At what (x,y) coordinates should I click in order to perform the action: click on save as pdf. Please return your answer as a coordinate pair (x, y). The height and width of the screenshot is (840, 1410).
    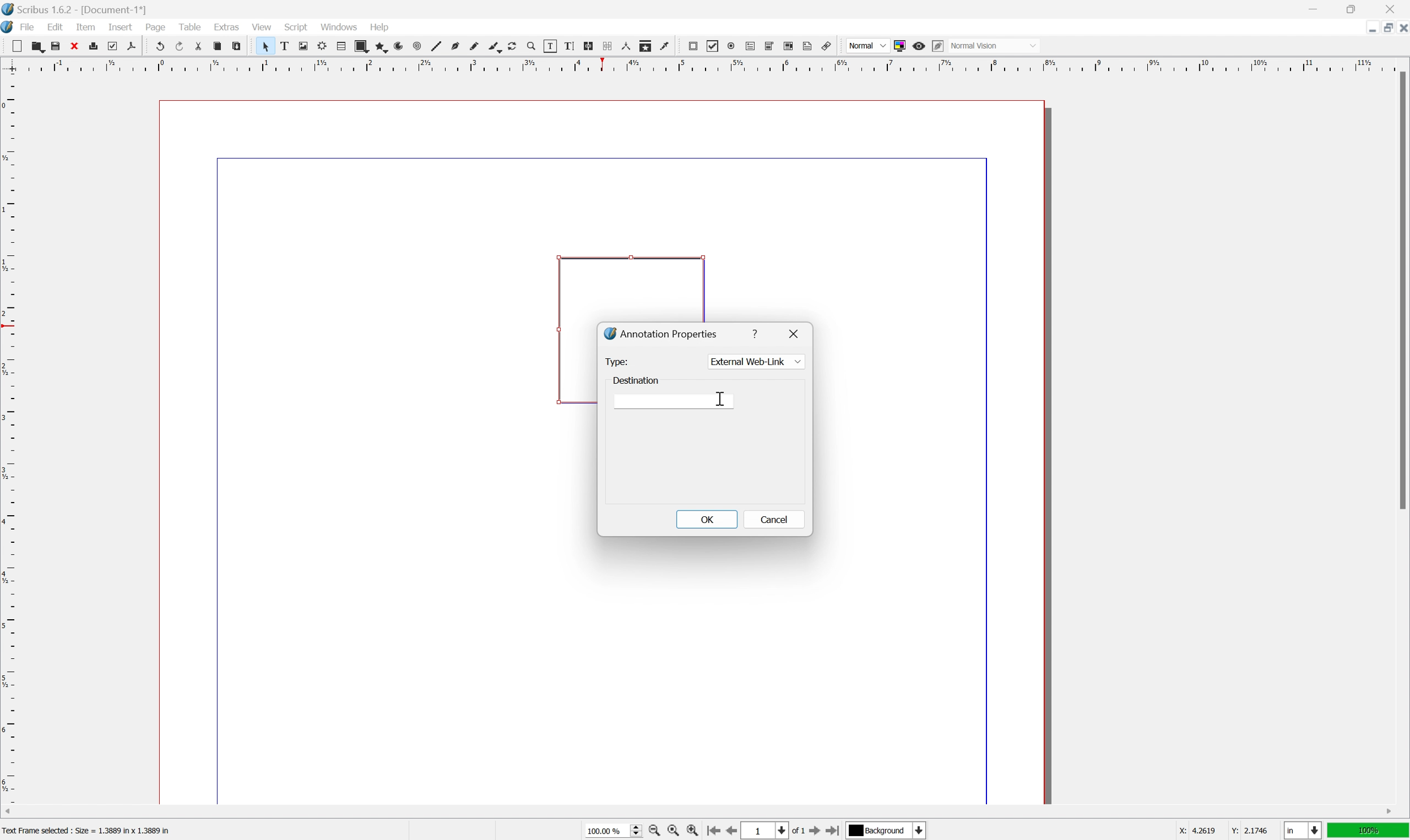
    Looking at the image, I should click on (132, 46).